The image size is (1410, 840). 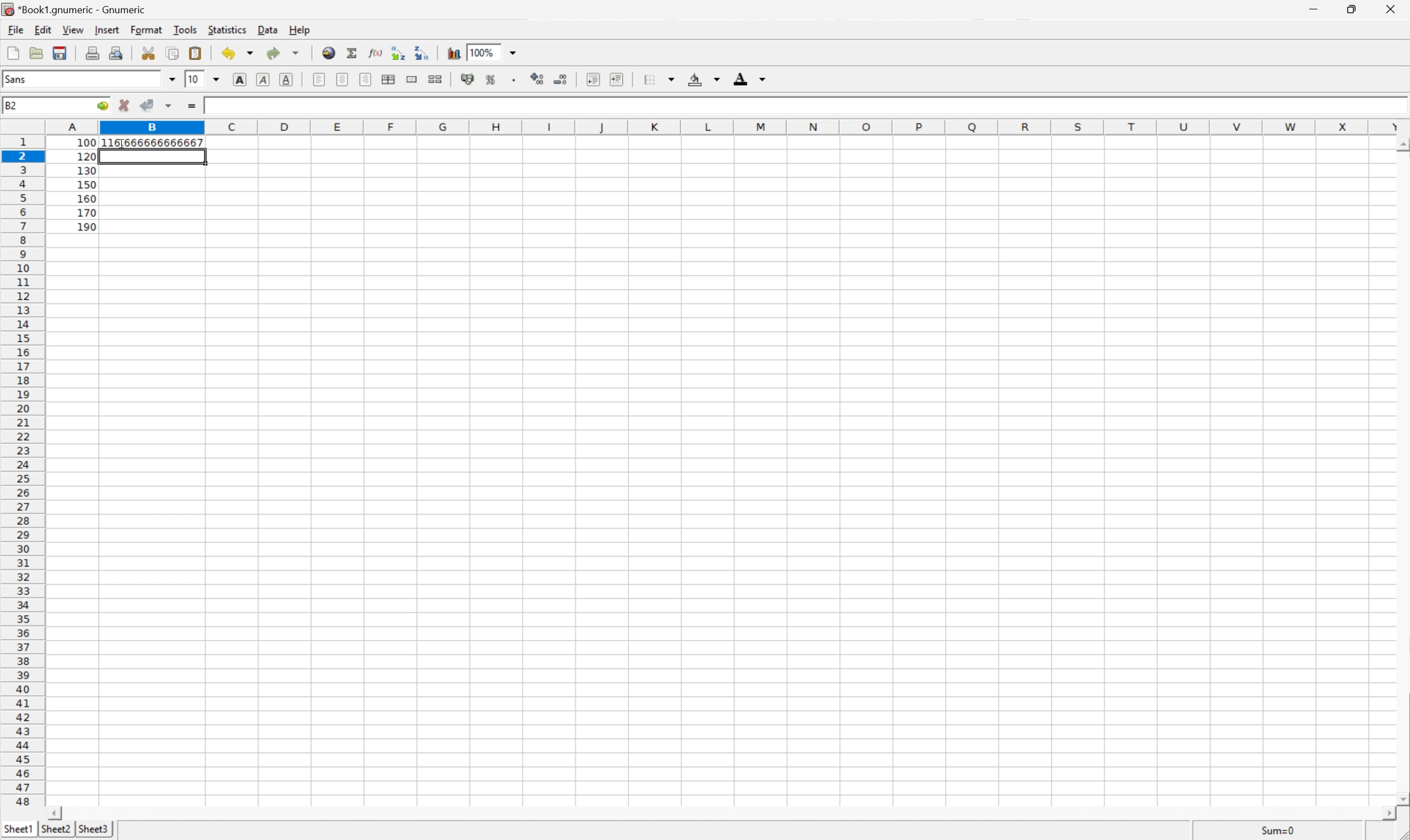 What do you see at coordinates (399, 53) in the screenshot?
I see `Sort the selected region in ascending order based on the first column selected` at bounding box center [399, 53].